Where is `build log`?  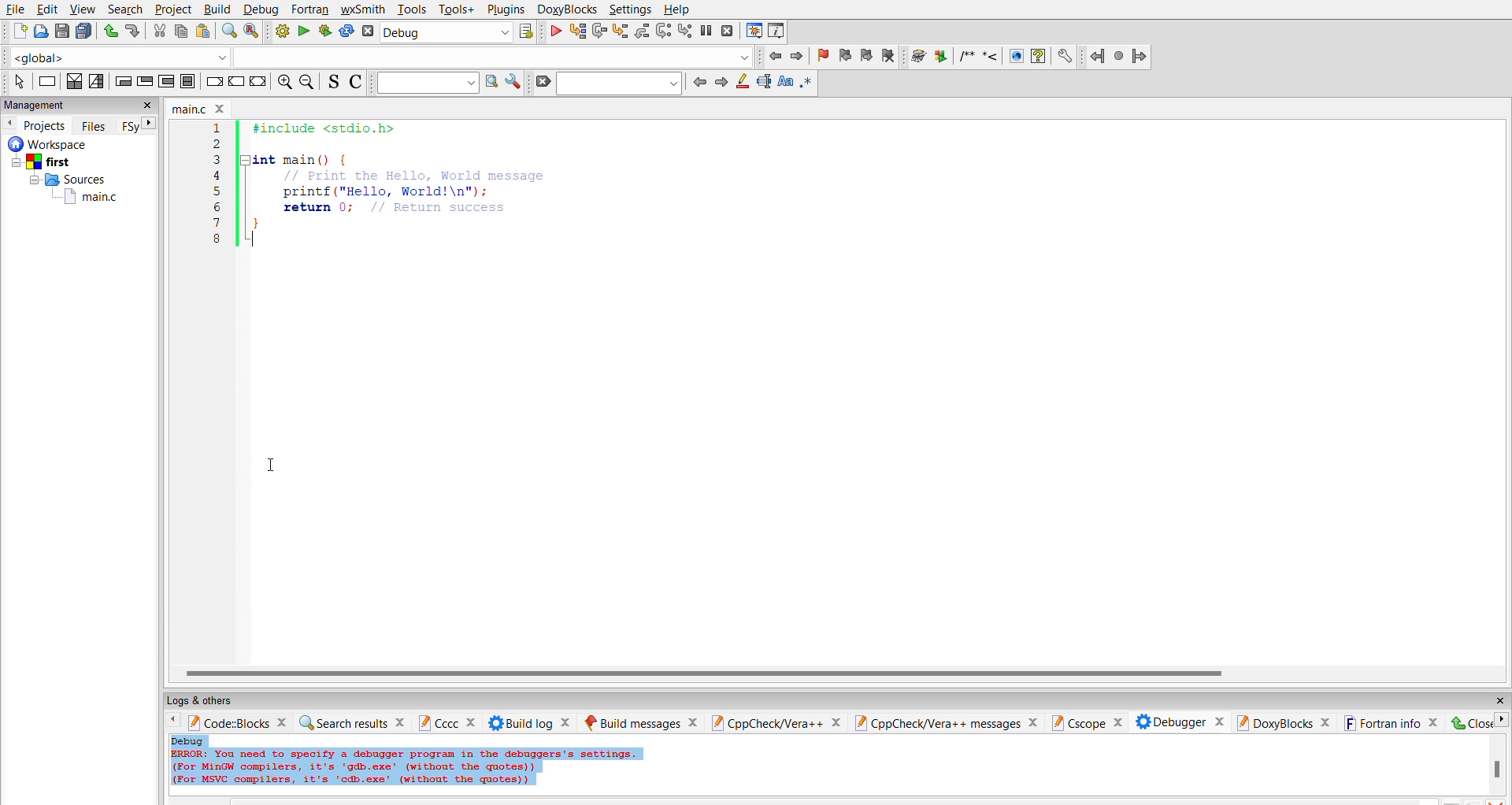 build log is located at coordinates (523, 722).